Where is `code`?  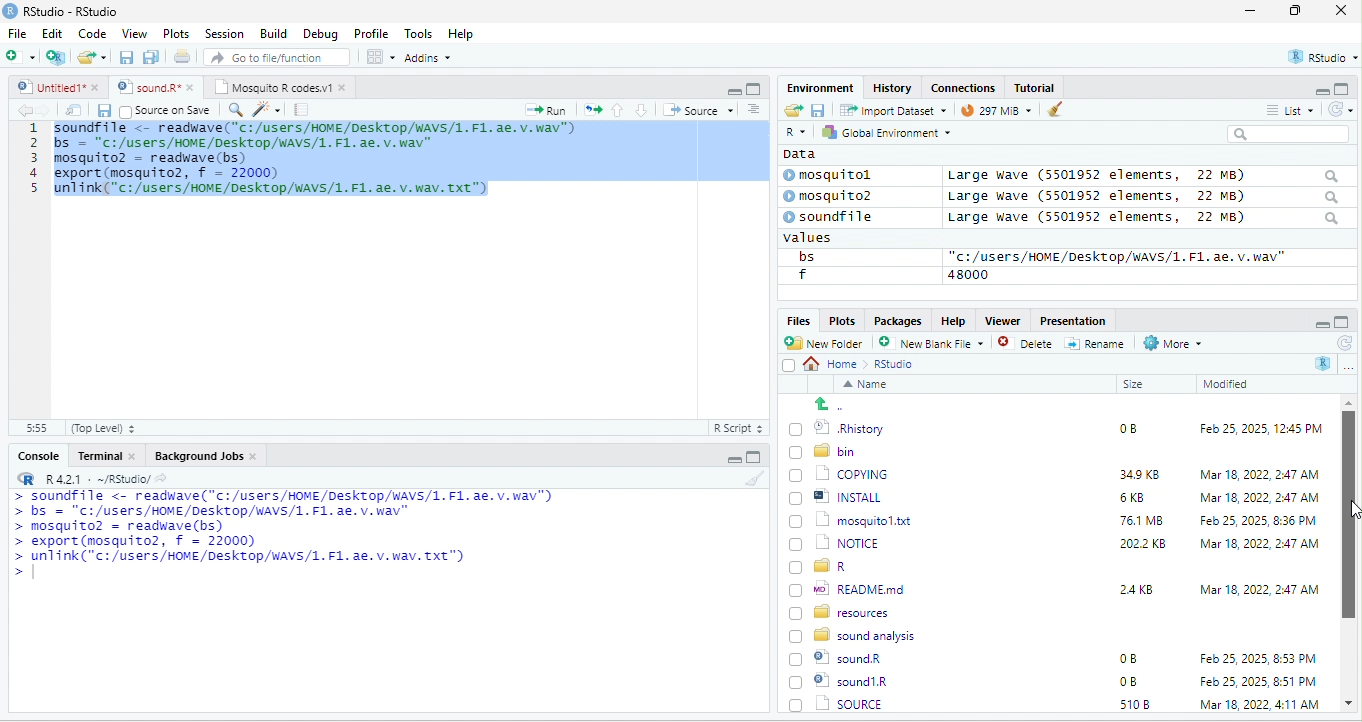
code is located at coordinates (319, 162).